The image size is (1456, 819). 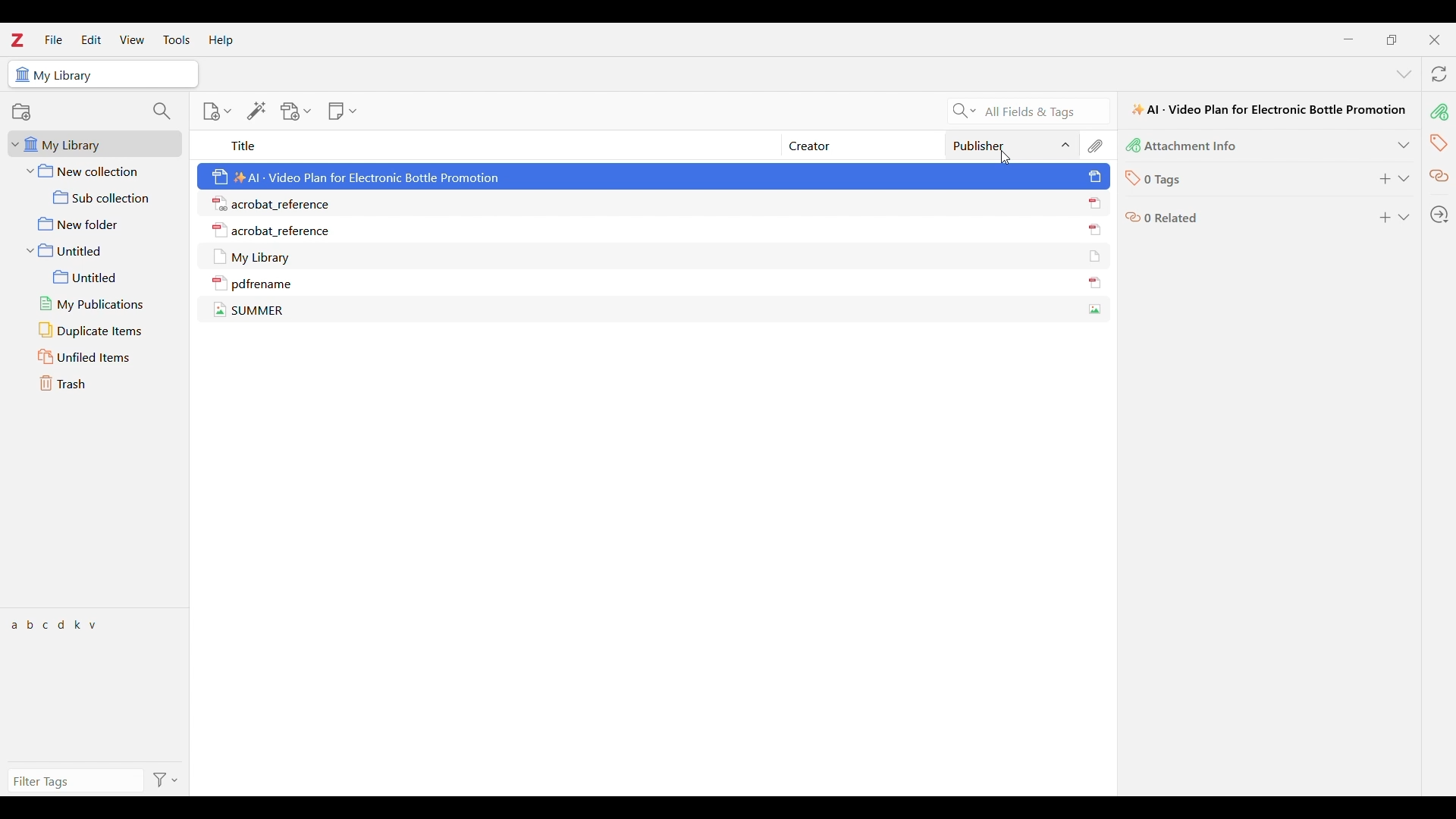 What do you see at coordinates (355, 175) in the screenshot?
I see `Al - Video Plan for Electronic Bottle Promotion` at bounding box center [355, 175].